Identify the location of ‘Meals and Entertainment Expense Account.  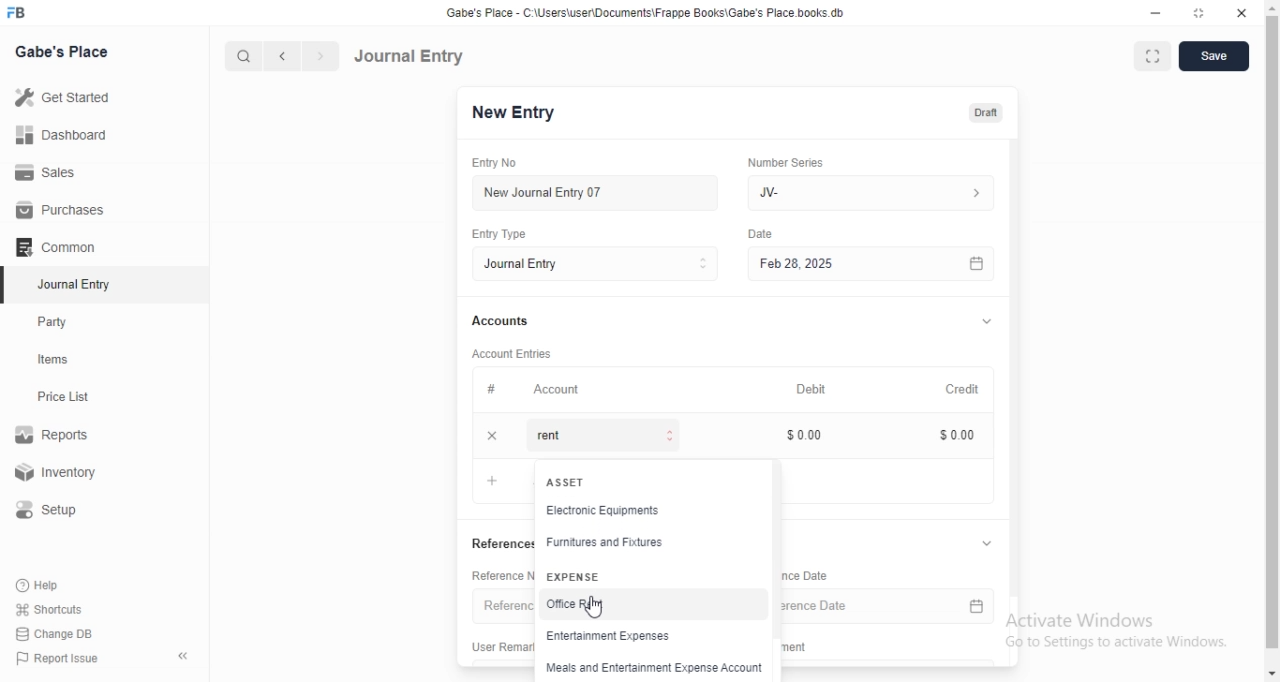
(651, 670).